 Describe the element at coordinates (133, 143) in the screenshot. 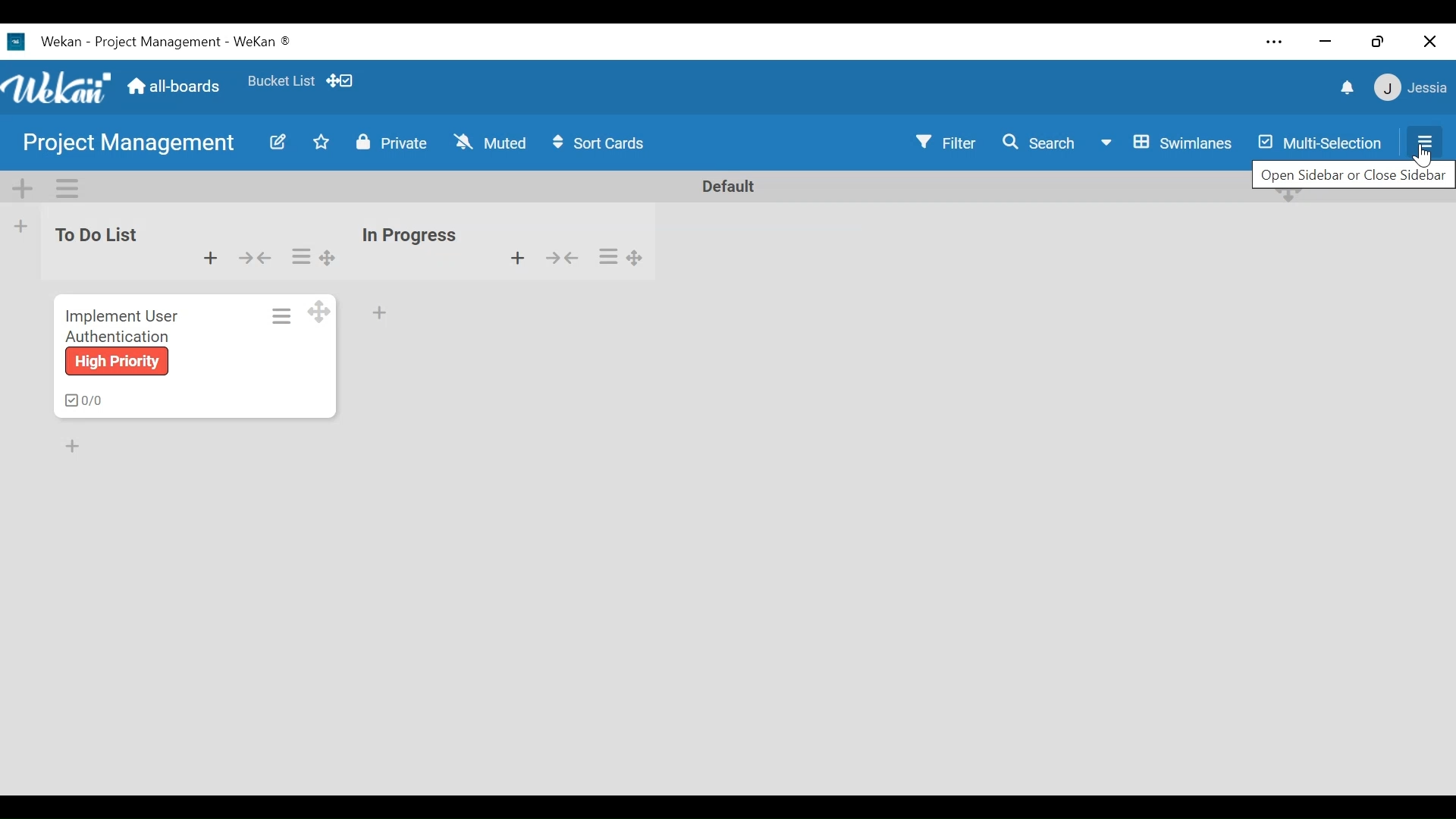

I see `Board Name` at that location.